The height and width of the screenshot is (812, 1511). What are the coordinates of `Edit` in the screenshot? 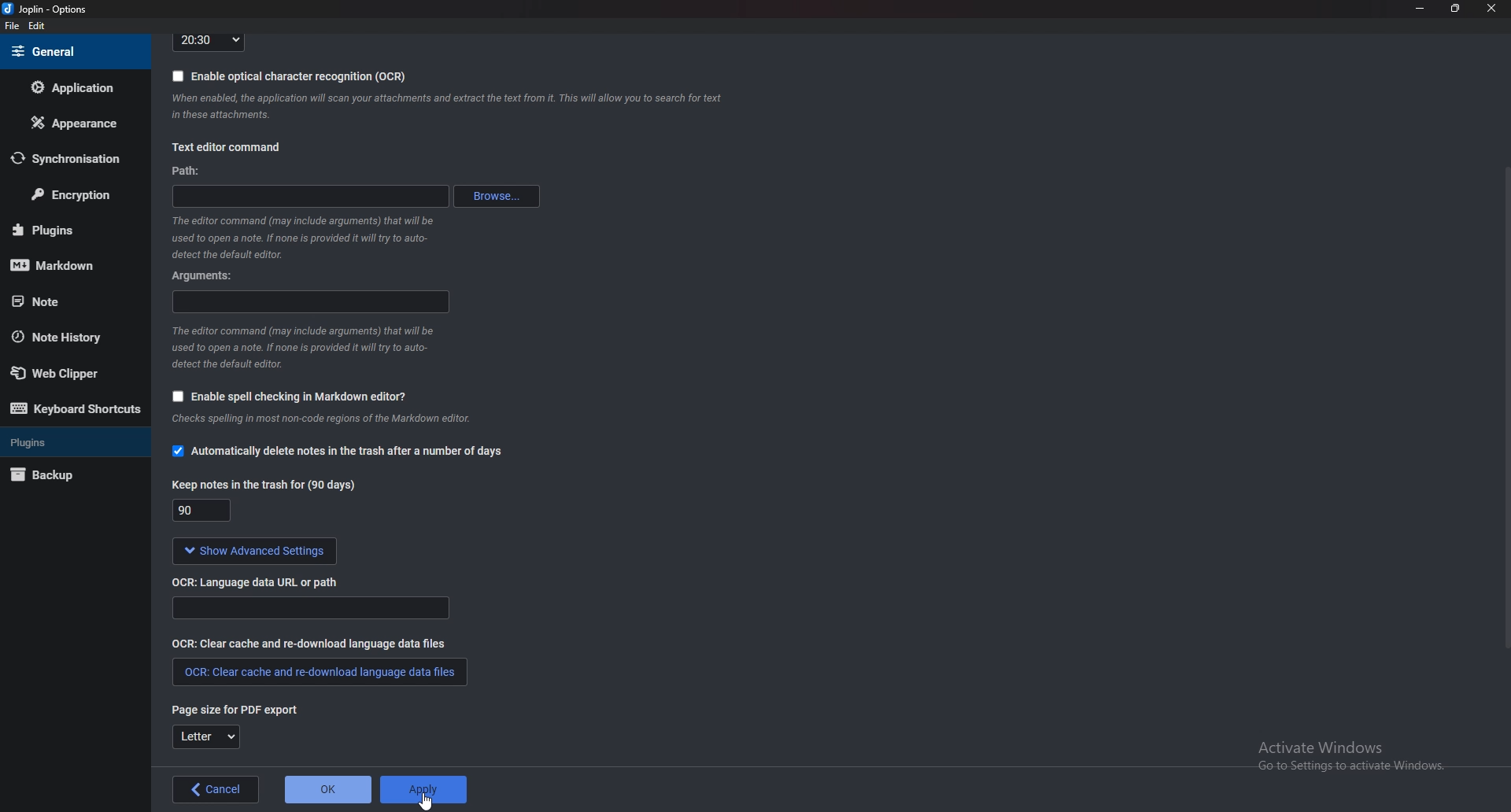 It's located at (36, 27).